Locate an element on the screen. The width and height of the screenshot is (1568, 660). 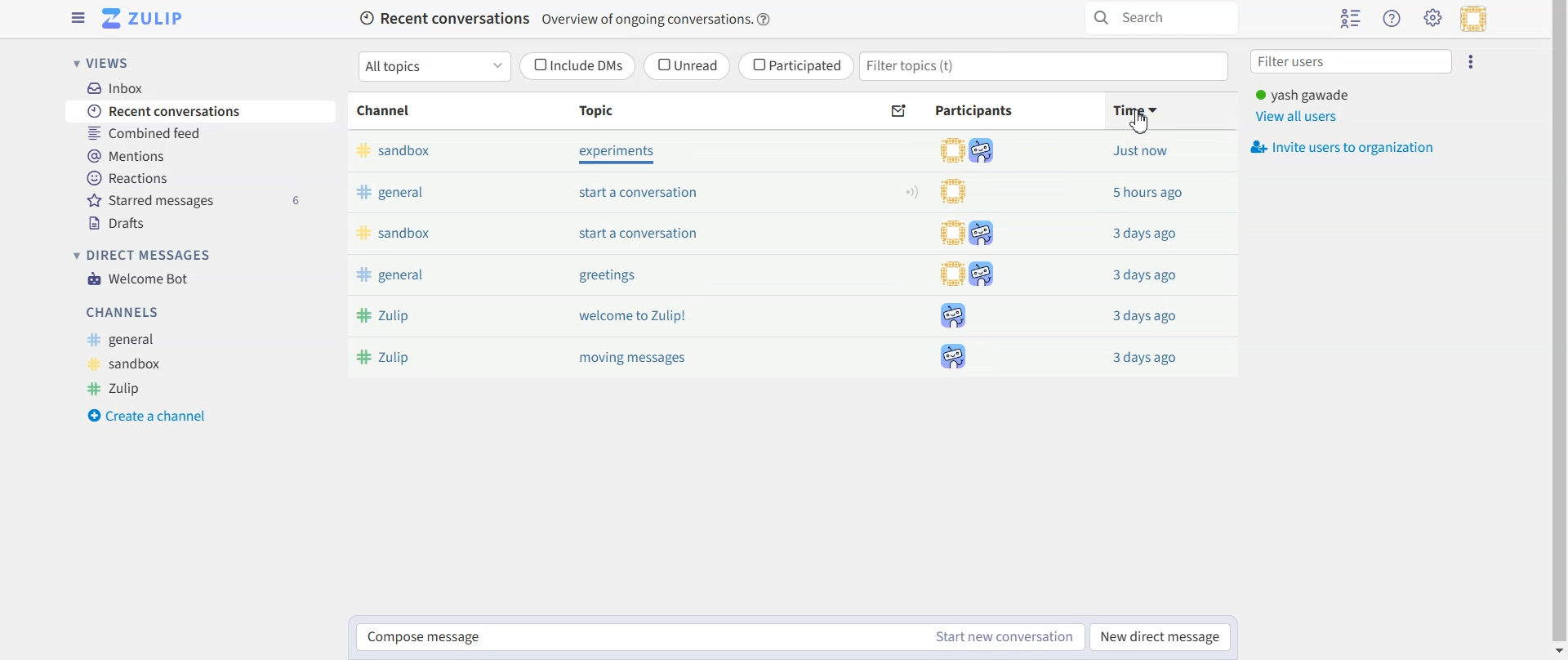
3daysago is located at coordinates (1147, 194).